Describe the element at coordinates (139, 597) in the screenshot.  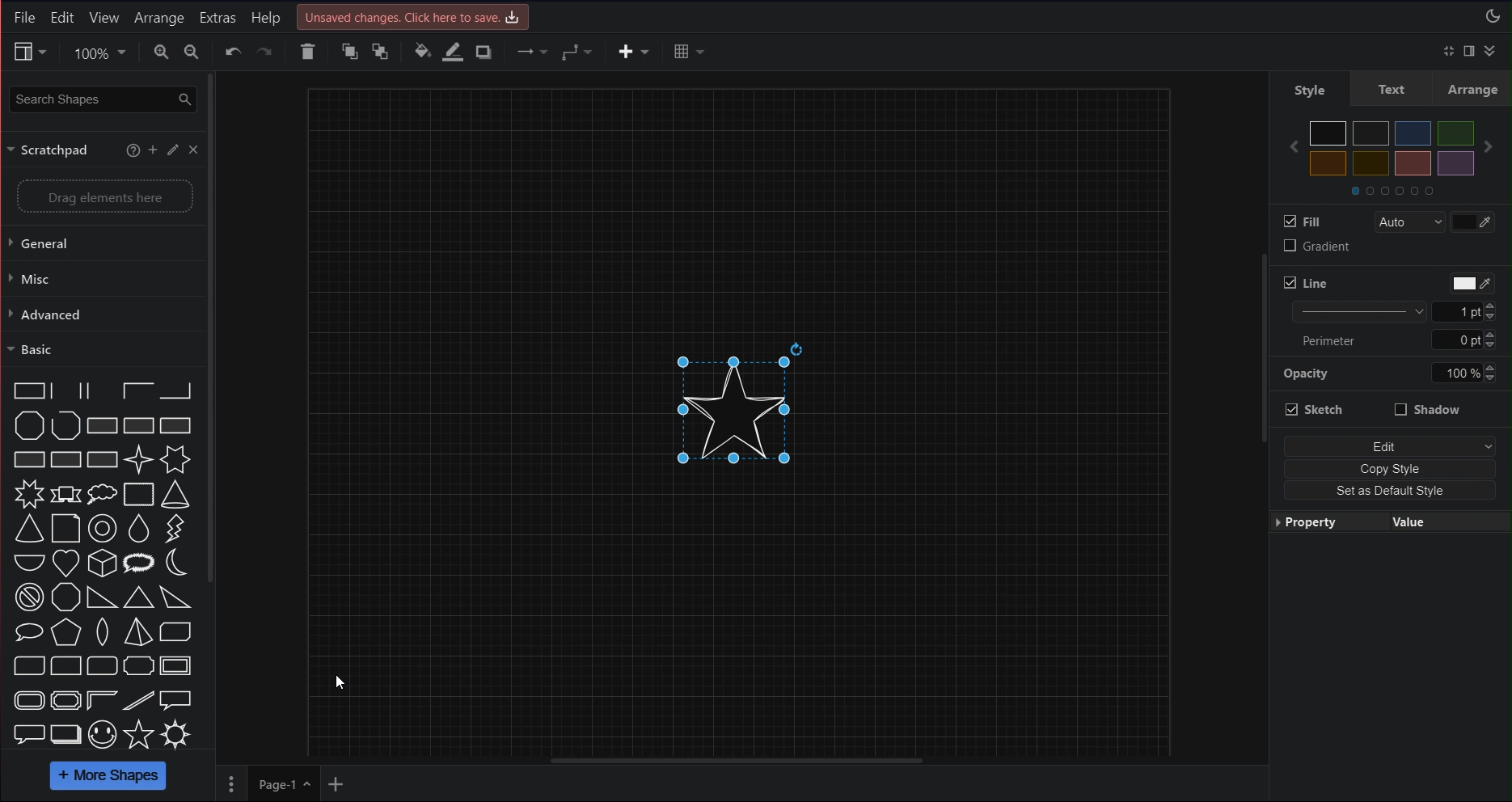
I see `acute triangle` at that location.